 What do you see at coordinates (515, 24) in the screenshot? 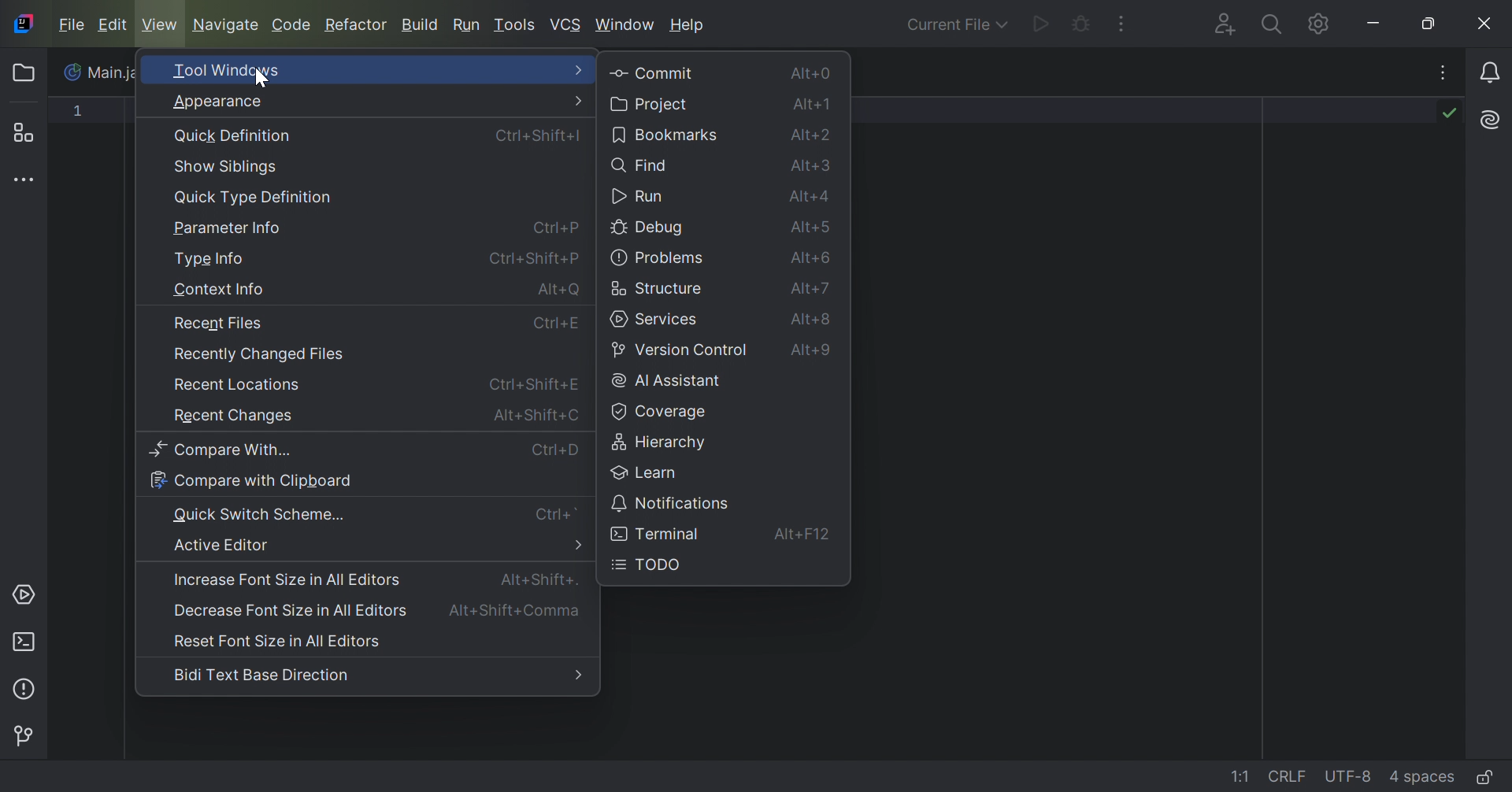
I see `Tools` at bounding box center [515, 24].